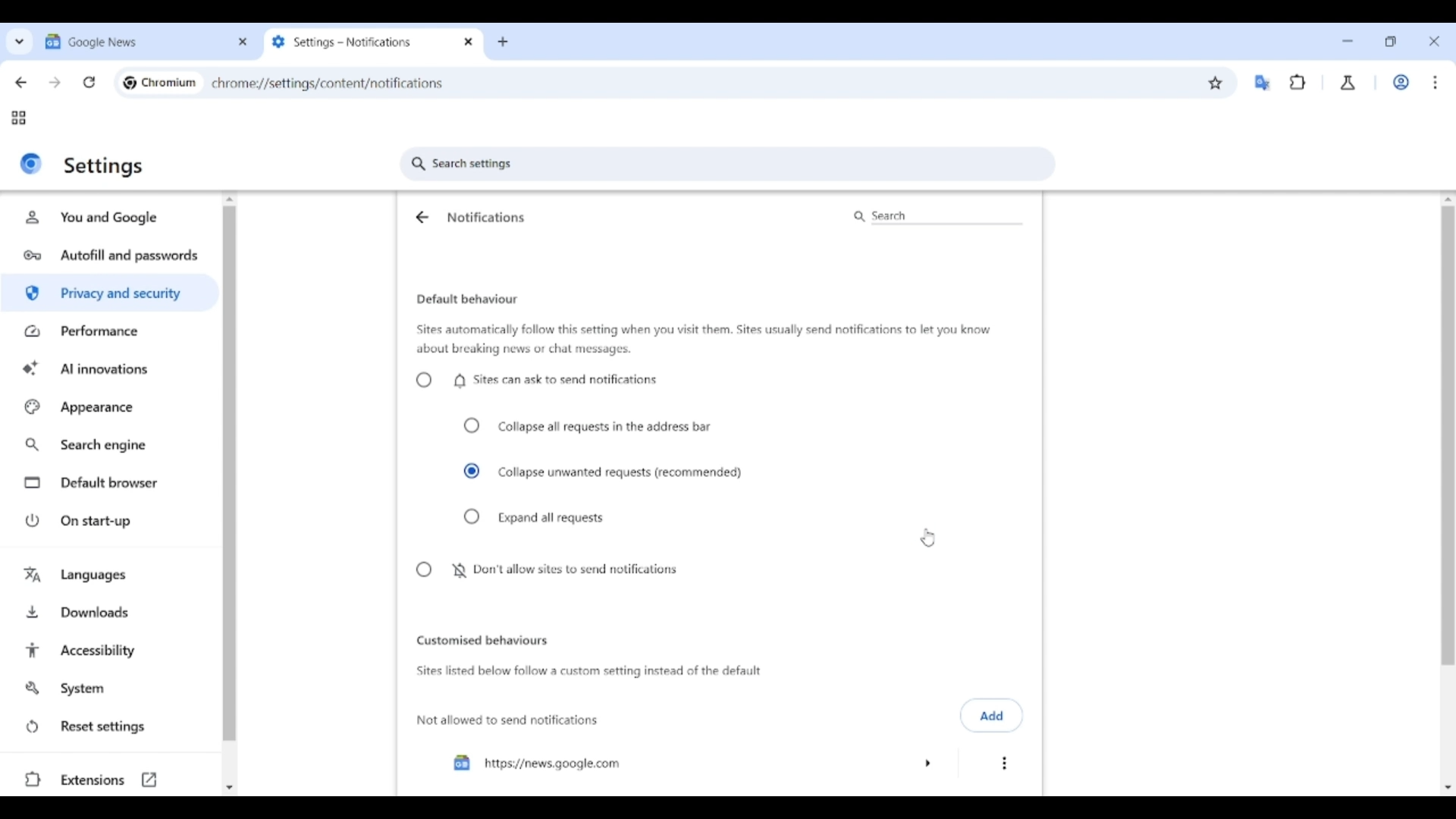  What do you see at coordinates (361, 42) in the screenshot?
I see `Tab 2` at bounding box center [361, 42].